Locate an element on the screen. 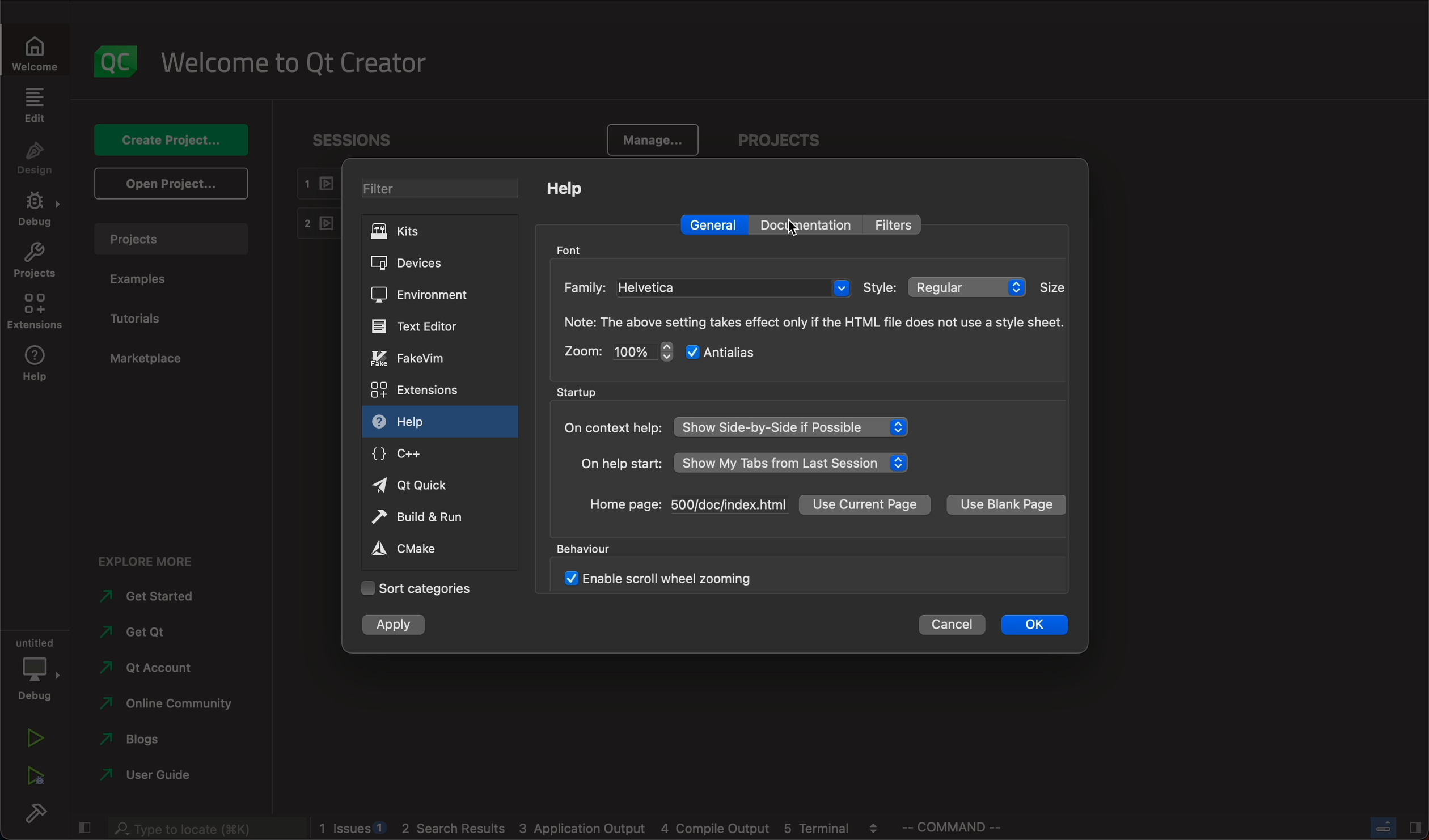 Image resolution: width=1429 pixels, height=840 pixels. manage is located at coordinates (658, 141).